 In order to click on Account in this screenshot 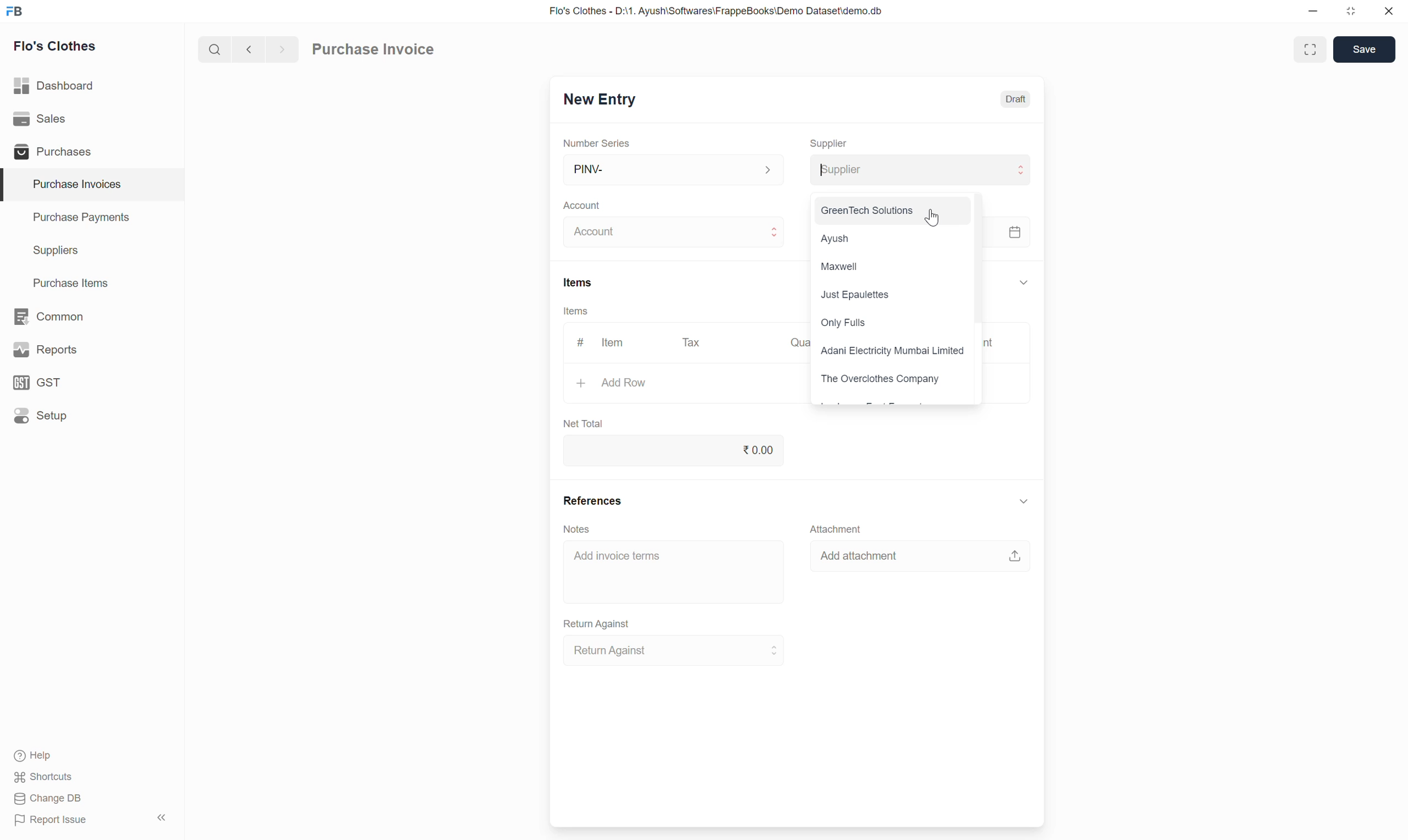, I will do `click(674, 232)`.